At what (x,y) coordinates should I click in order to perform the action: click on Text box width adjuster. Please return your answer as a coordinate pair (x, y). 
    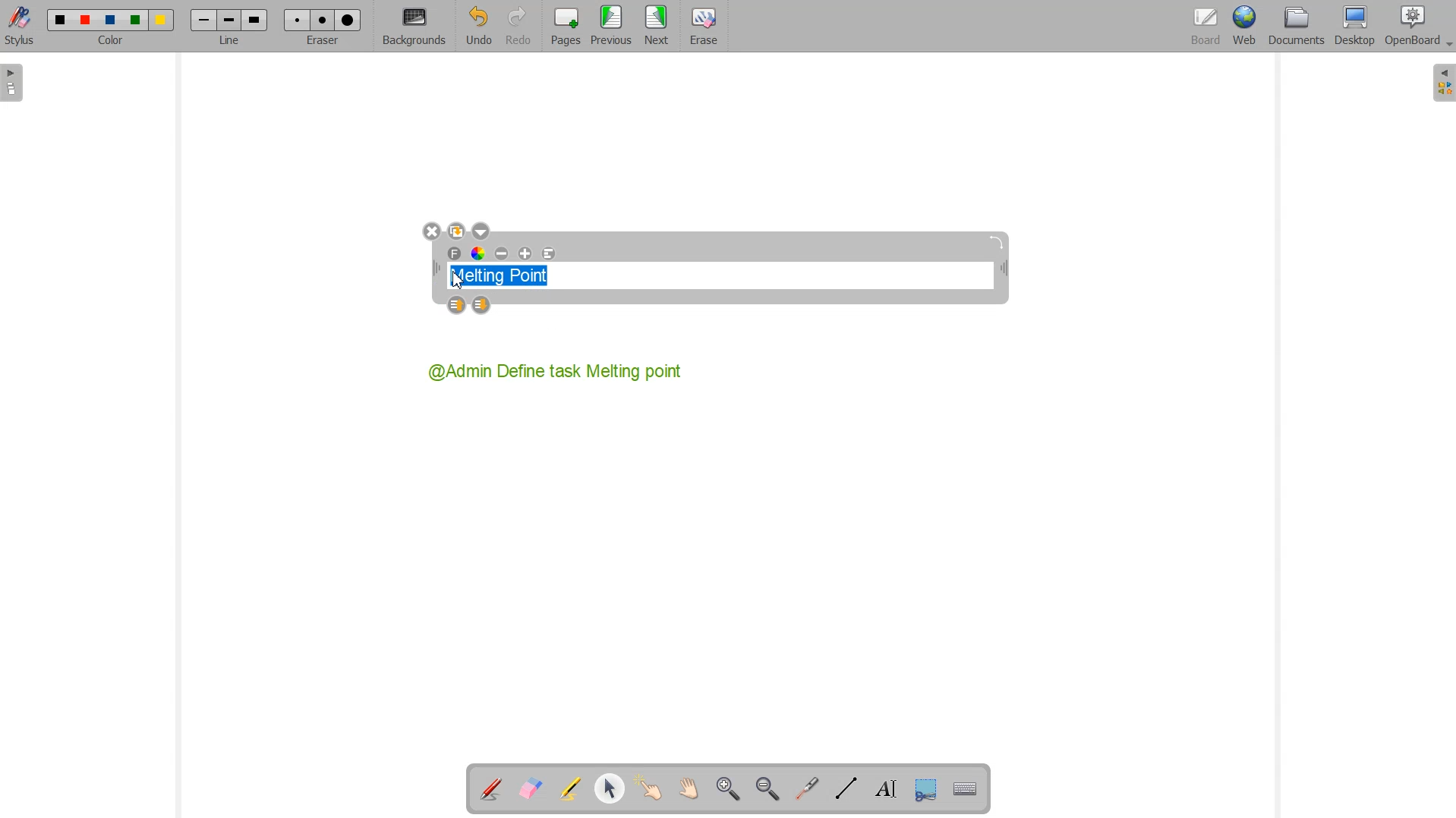
    Looking at the image, I should click on (436, 269).